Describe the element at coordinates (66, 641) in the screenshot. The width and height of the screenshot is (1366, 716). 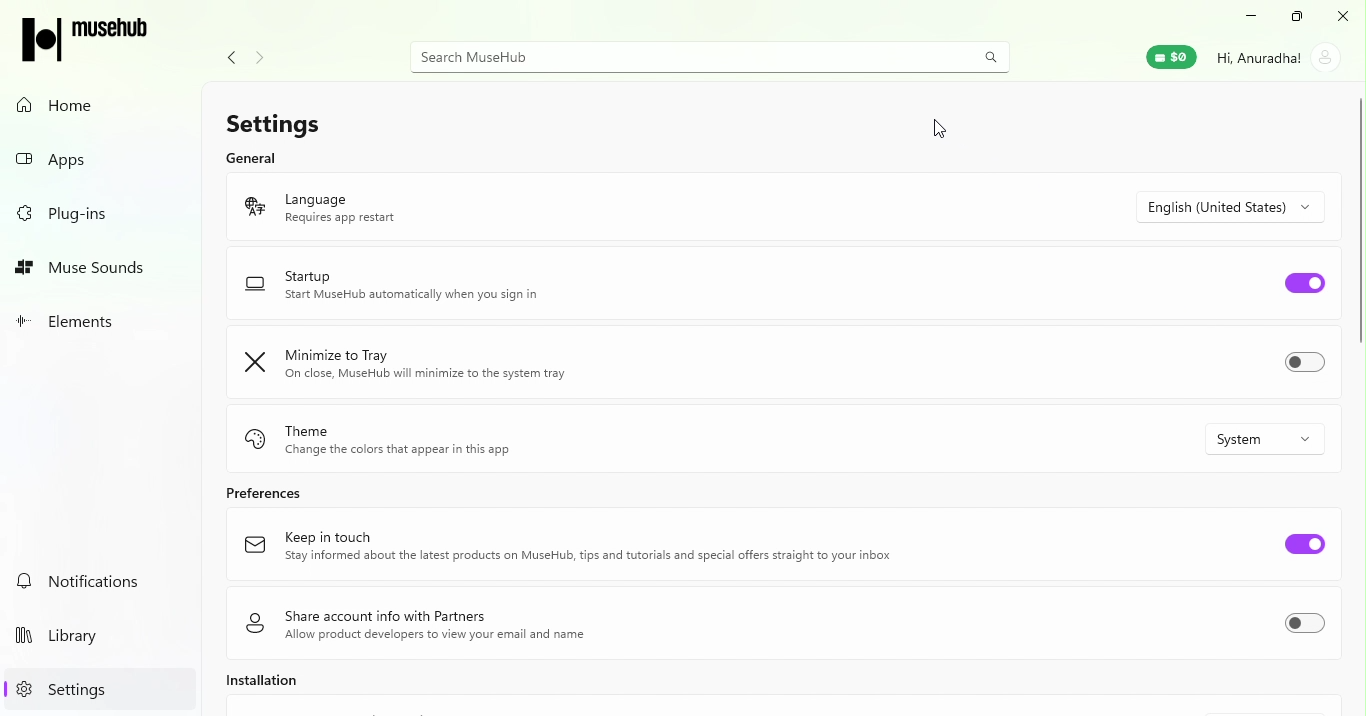
I see `Library` at that location.